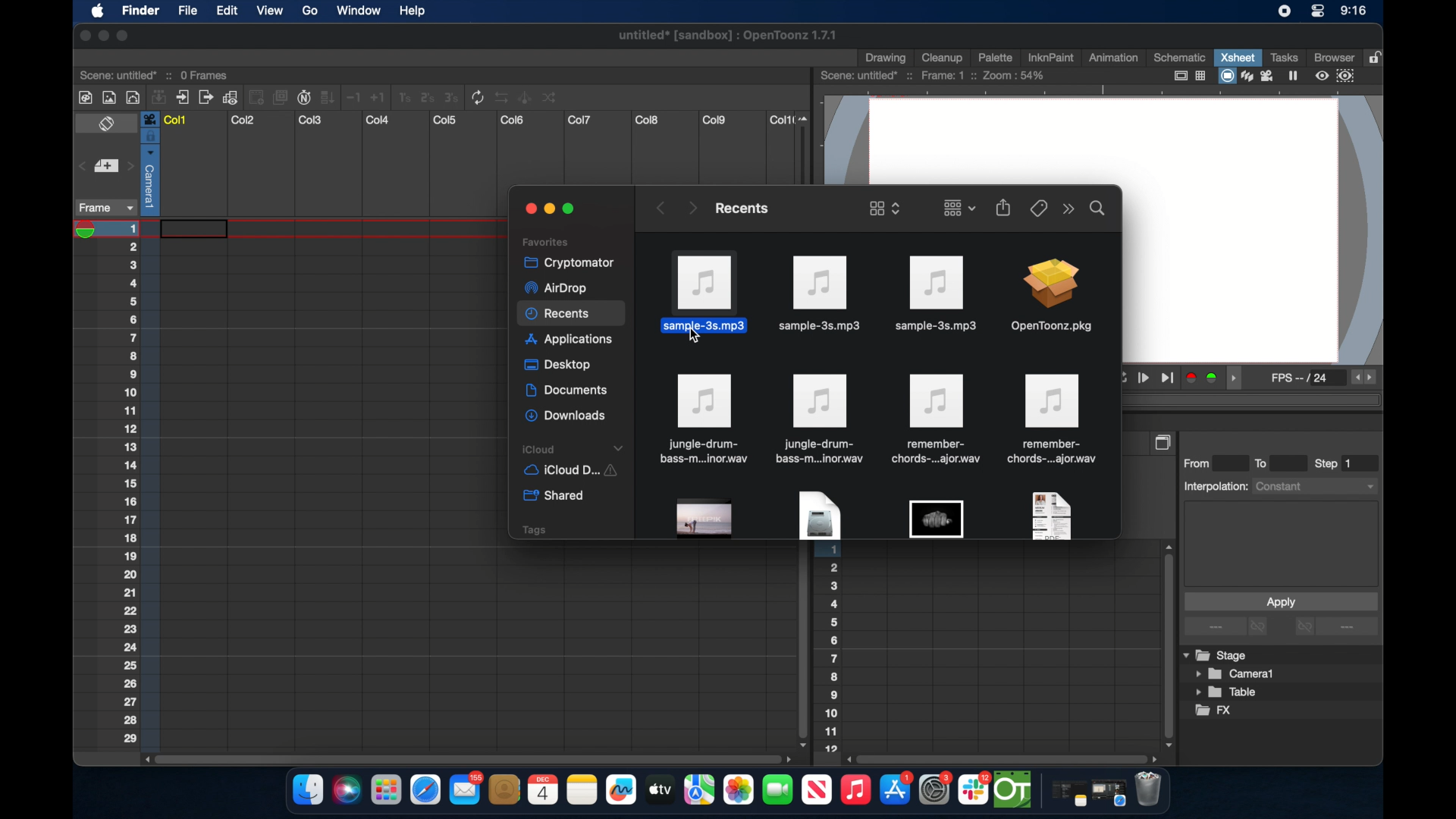  I want to click on close, so click(528, 209).